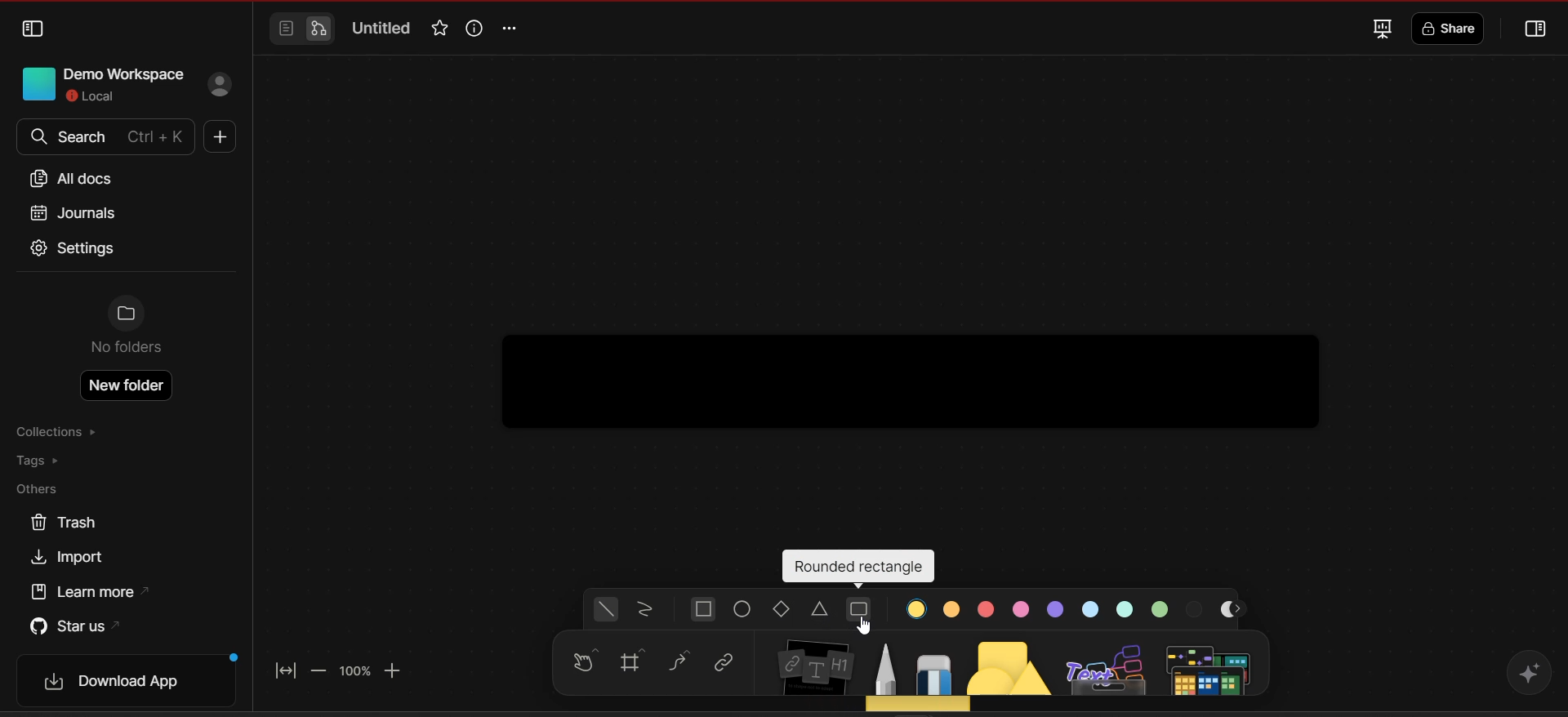 The width and height of the screenshot is (1568, 717). What do you see at coordinates (128, 385) in the screenshot?
I see `New folder` at bounding box center [128, 385].